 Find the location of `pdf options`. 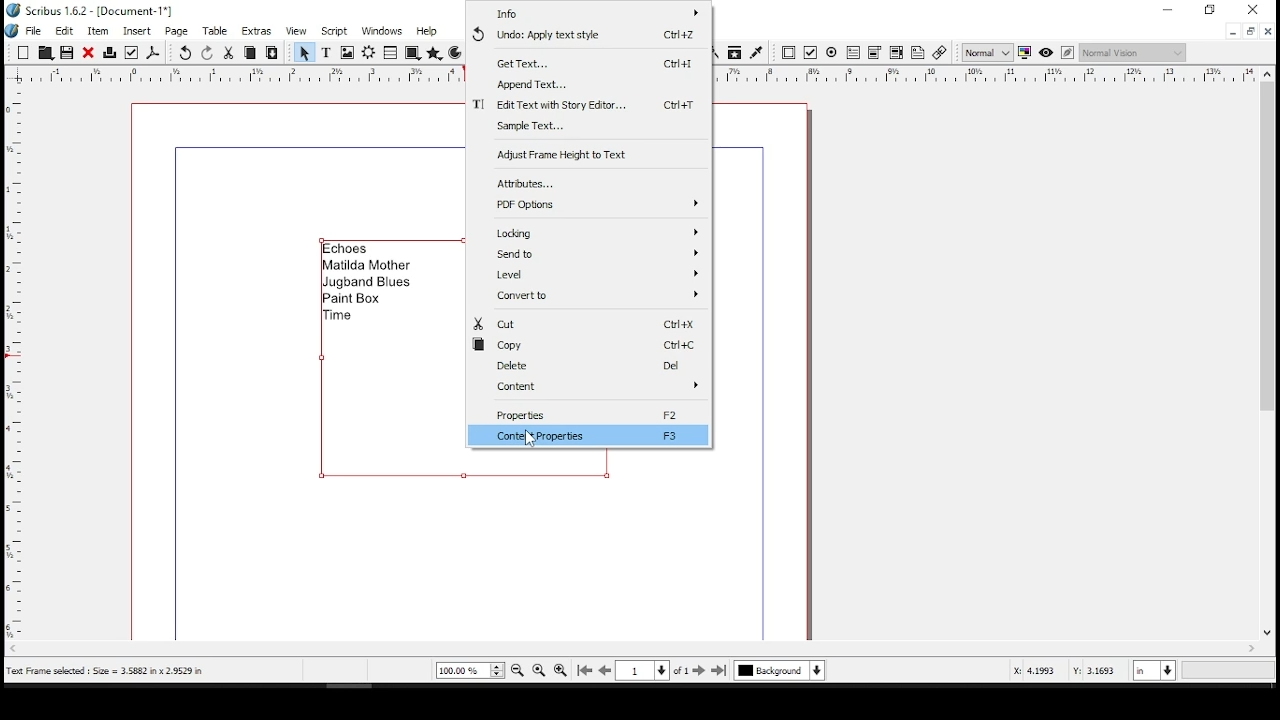

pdf options is located at coordinates (589, 204).